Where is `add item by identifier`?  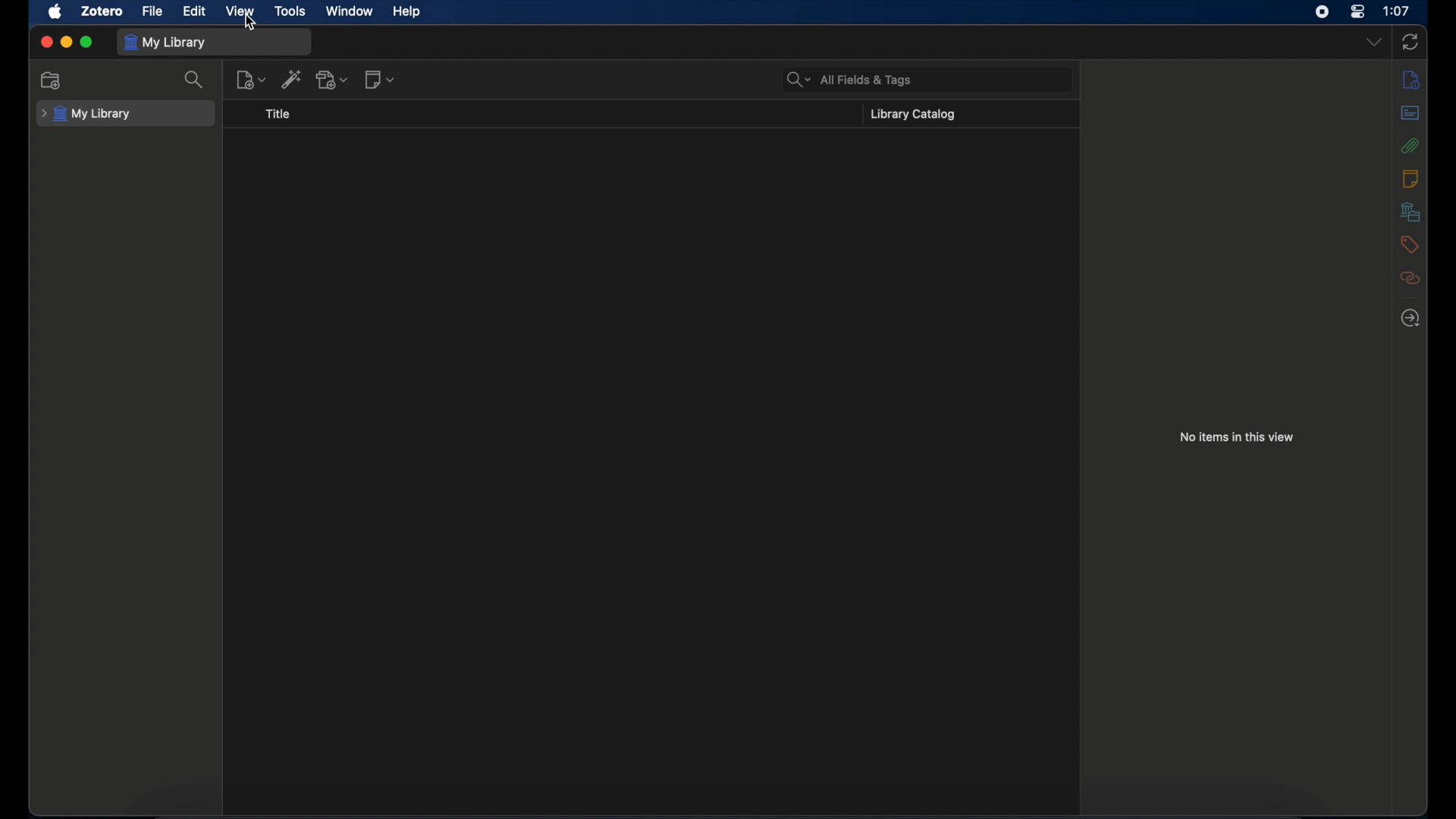
add item by identifier is located at coordinates (292, 79).